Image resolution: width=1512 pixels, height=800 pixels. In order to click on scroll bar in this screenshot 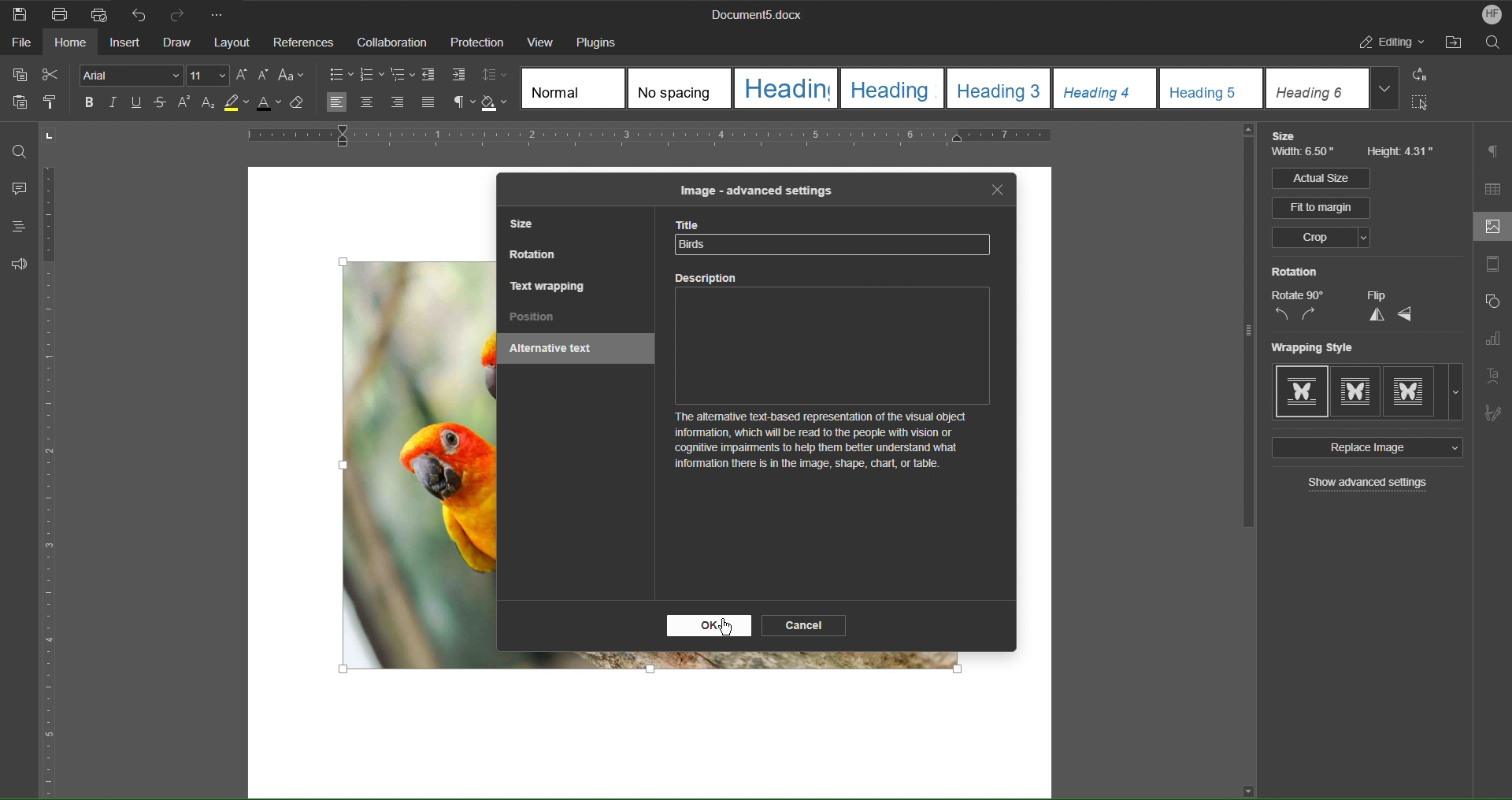, I will do `click(1244, 331)`.